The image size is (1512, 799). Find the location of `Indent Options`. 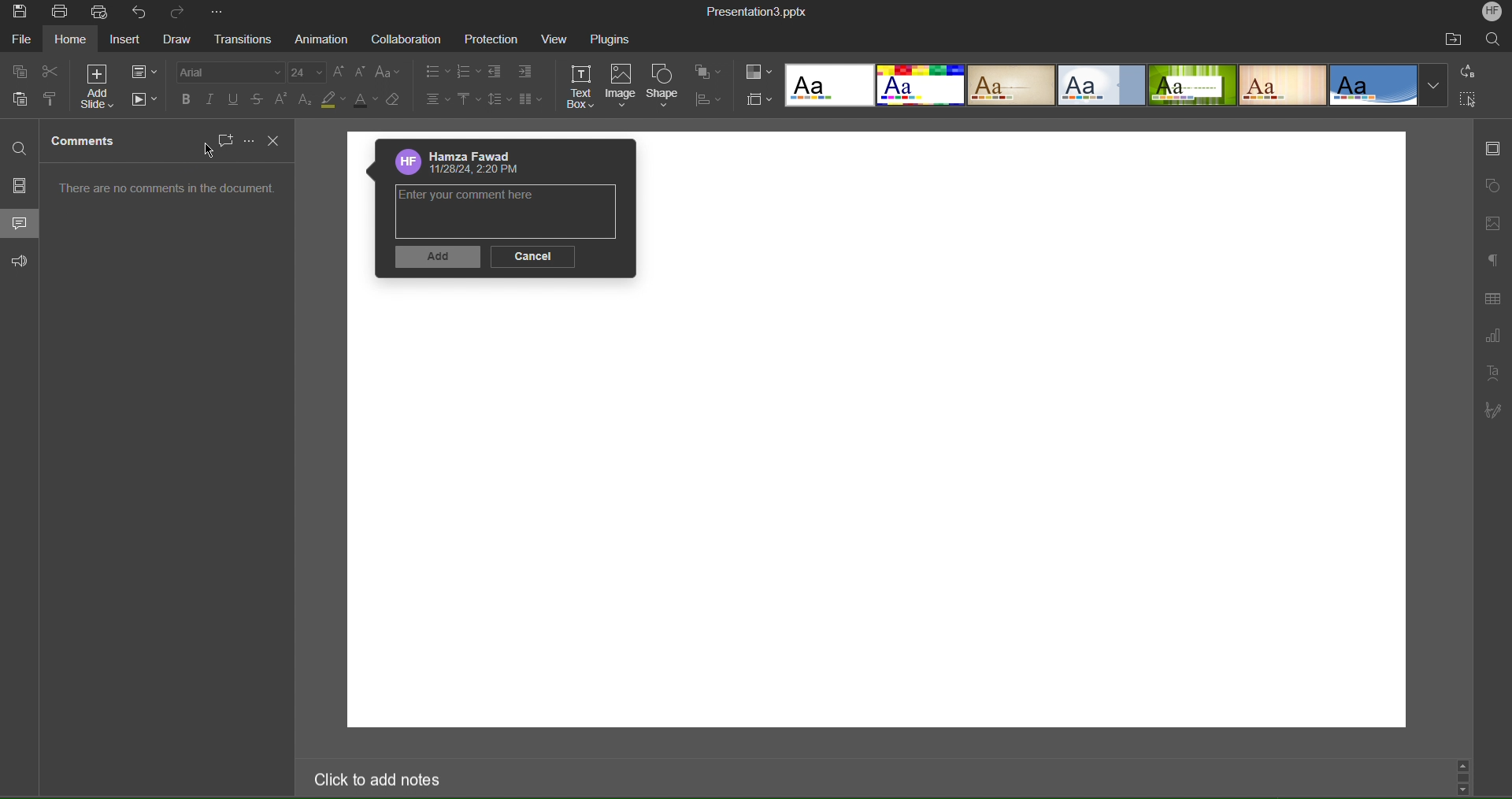

Indent Options is located at coordinates (499, 72).